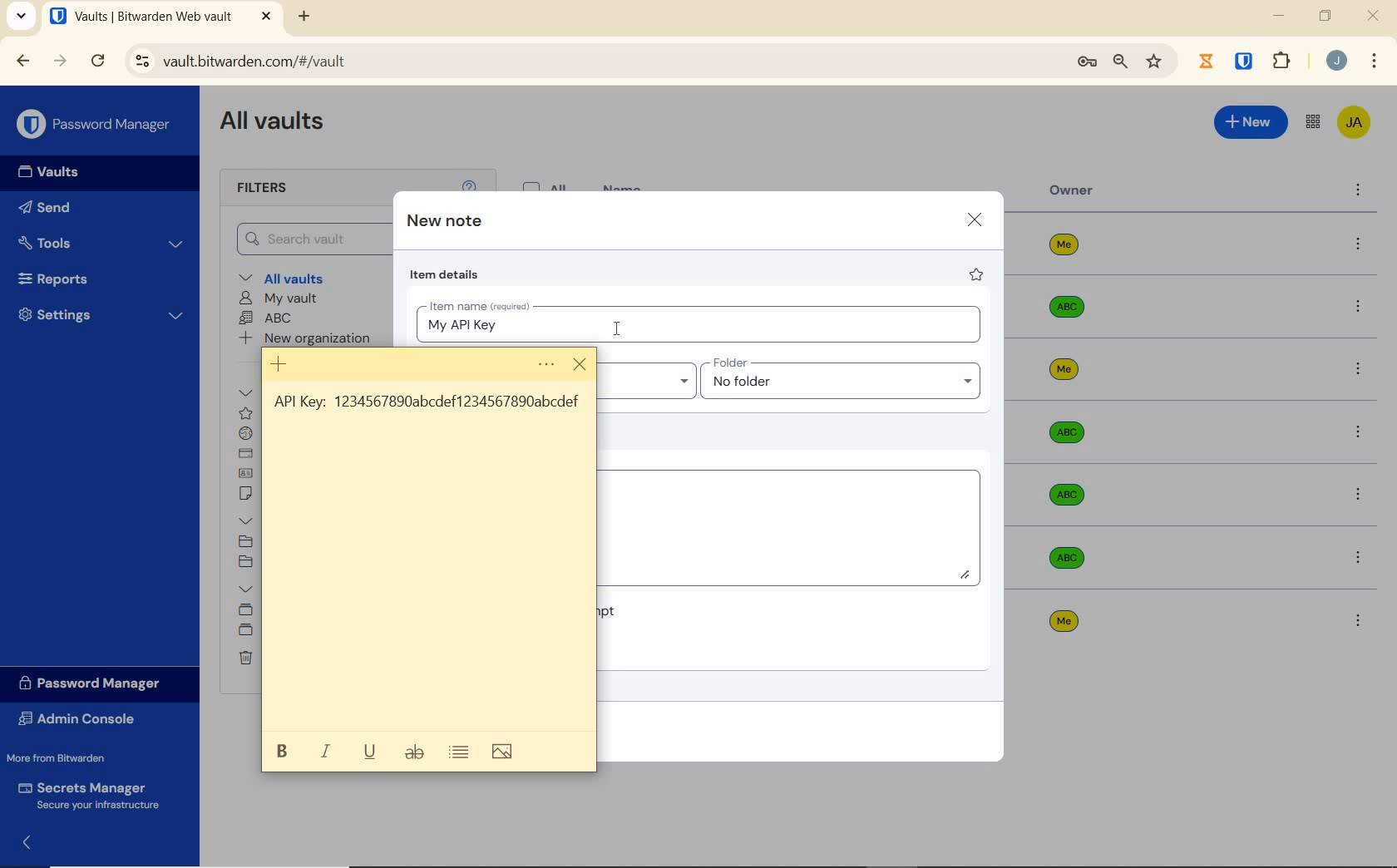  What do you see at coordinates (93, 793) in the screenshot?
I see `Secrets Manager` at bounding box center [93, 793].